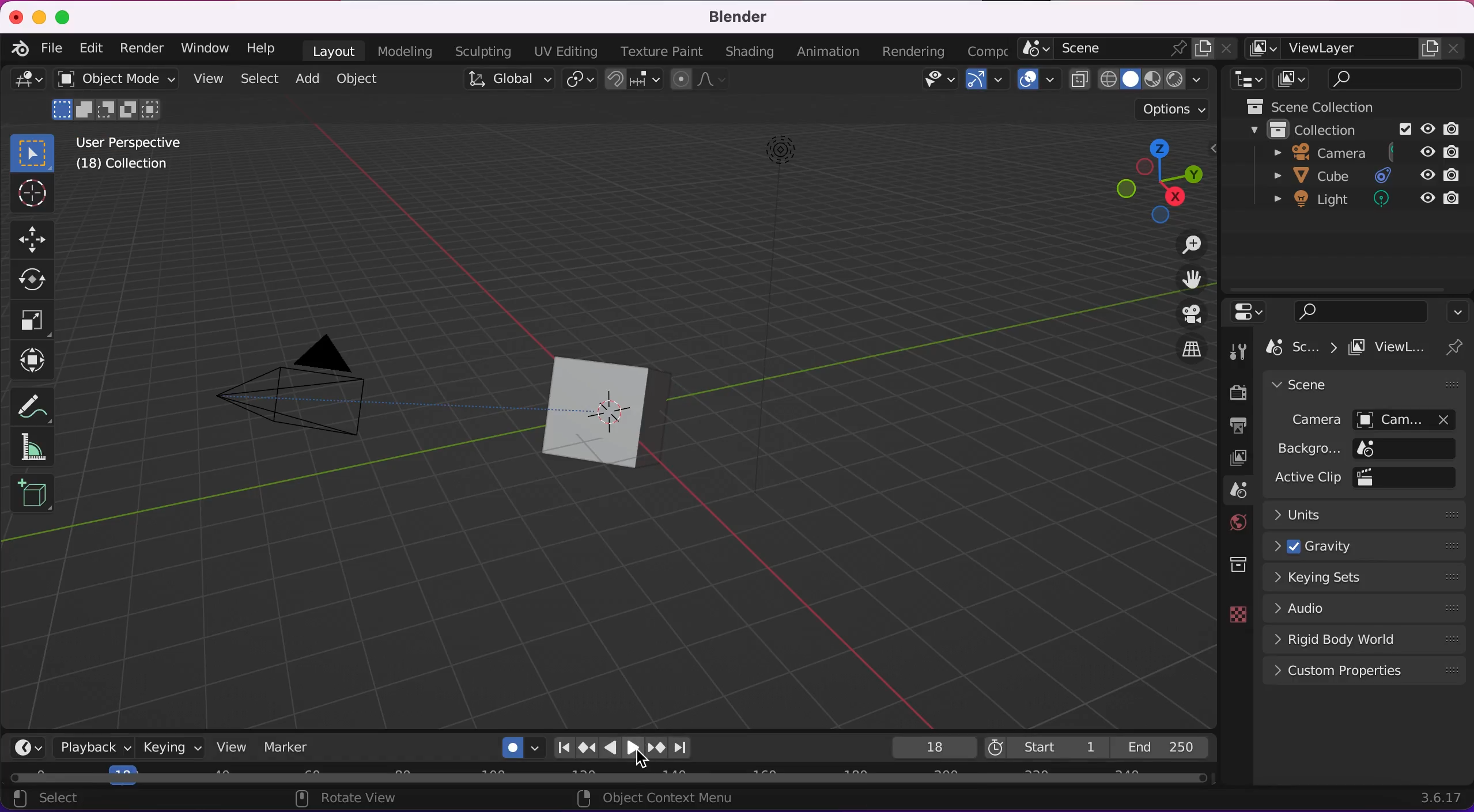 This screenshot has height=812, width=1474. Describe the element at coordinates (608, 749) in the screenshot. I see `play animation` at that location.